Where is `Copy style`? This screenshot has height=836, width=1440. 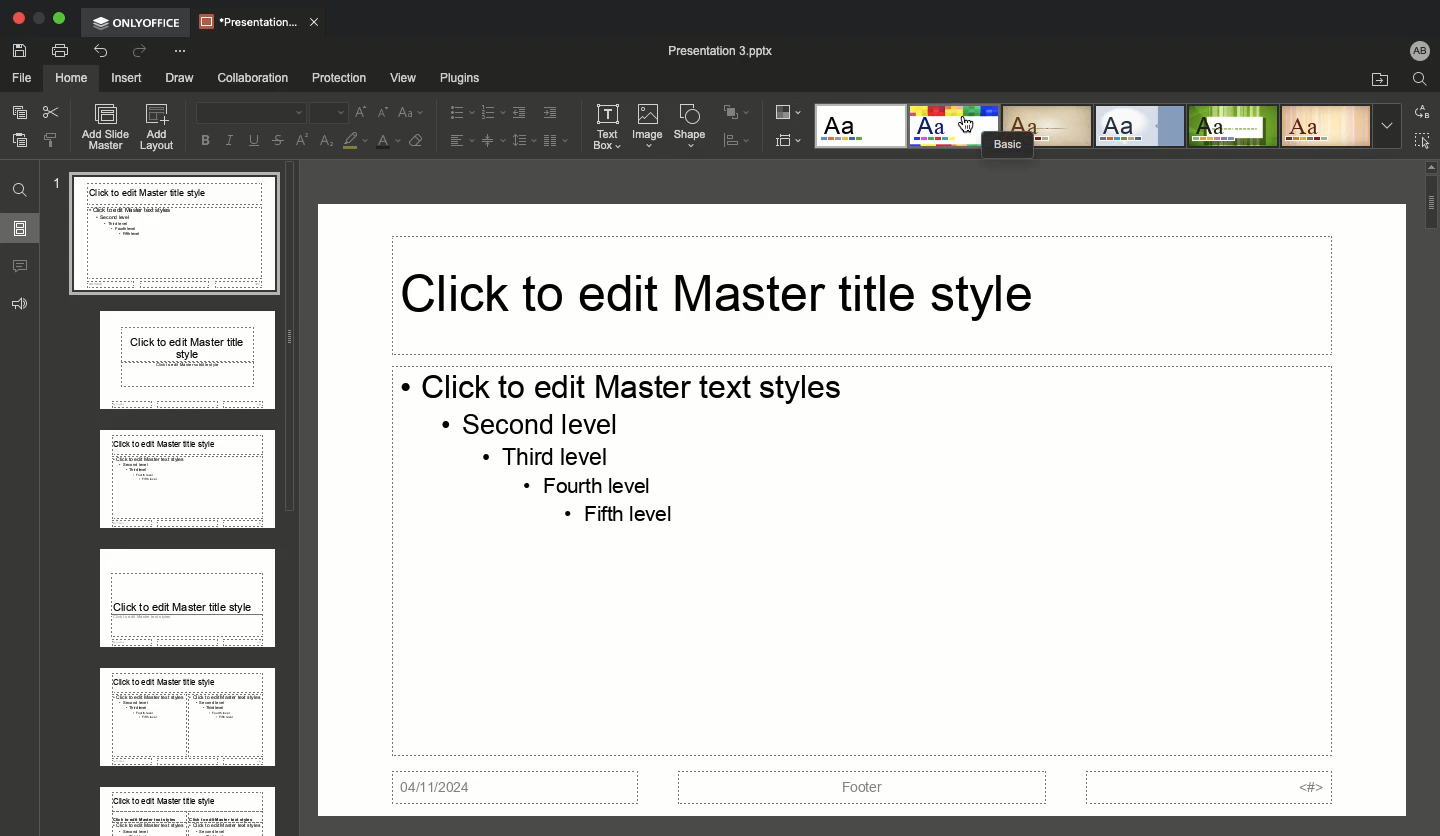
Copy style is located at coordinates (50, 142).